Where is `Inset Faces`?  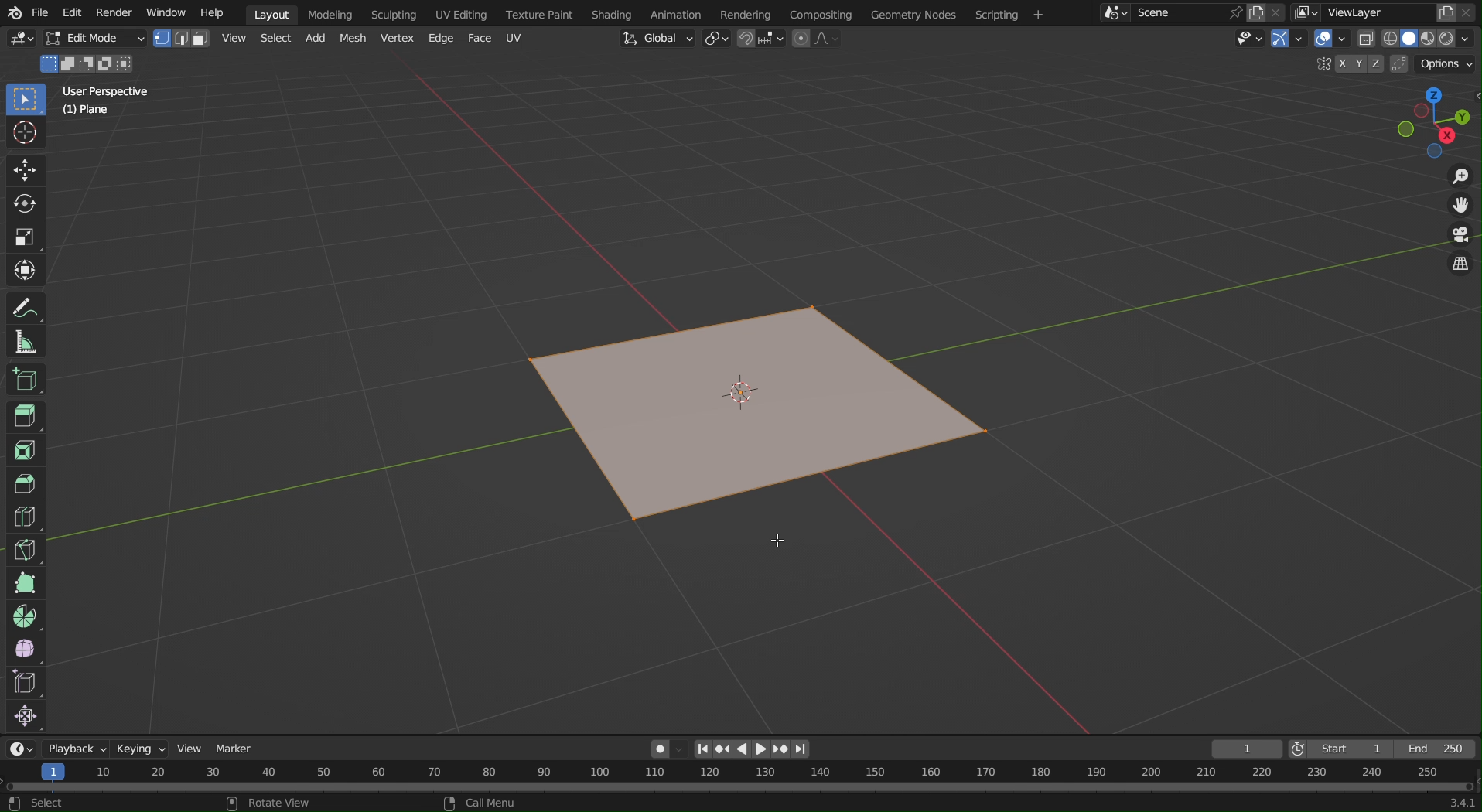
Inset Faces is located at coordinates (25, 451).